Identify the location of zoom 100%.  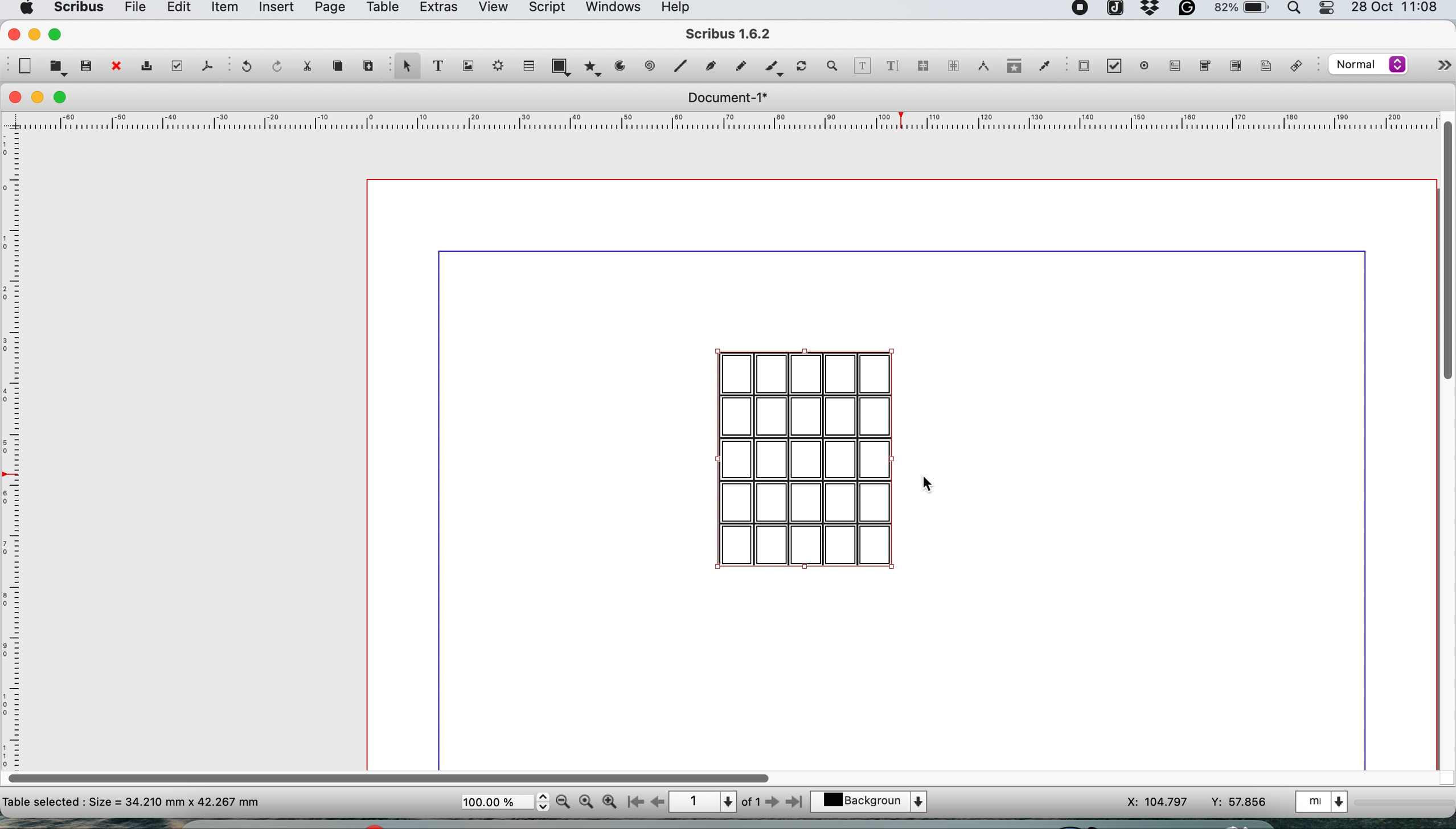
(588, 801).